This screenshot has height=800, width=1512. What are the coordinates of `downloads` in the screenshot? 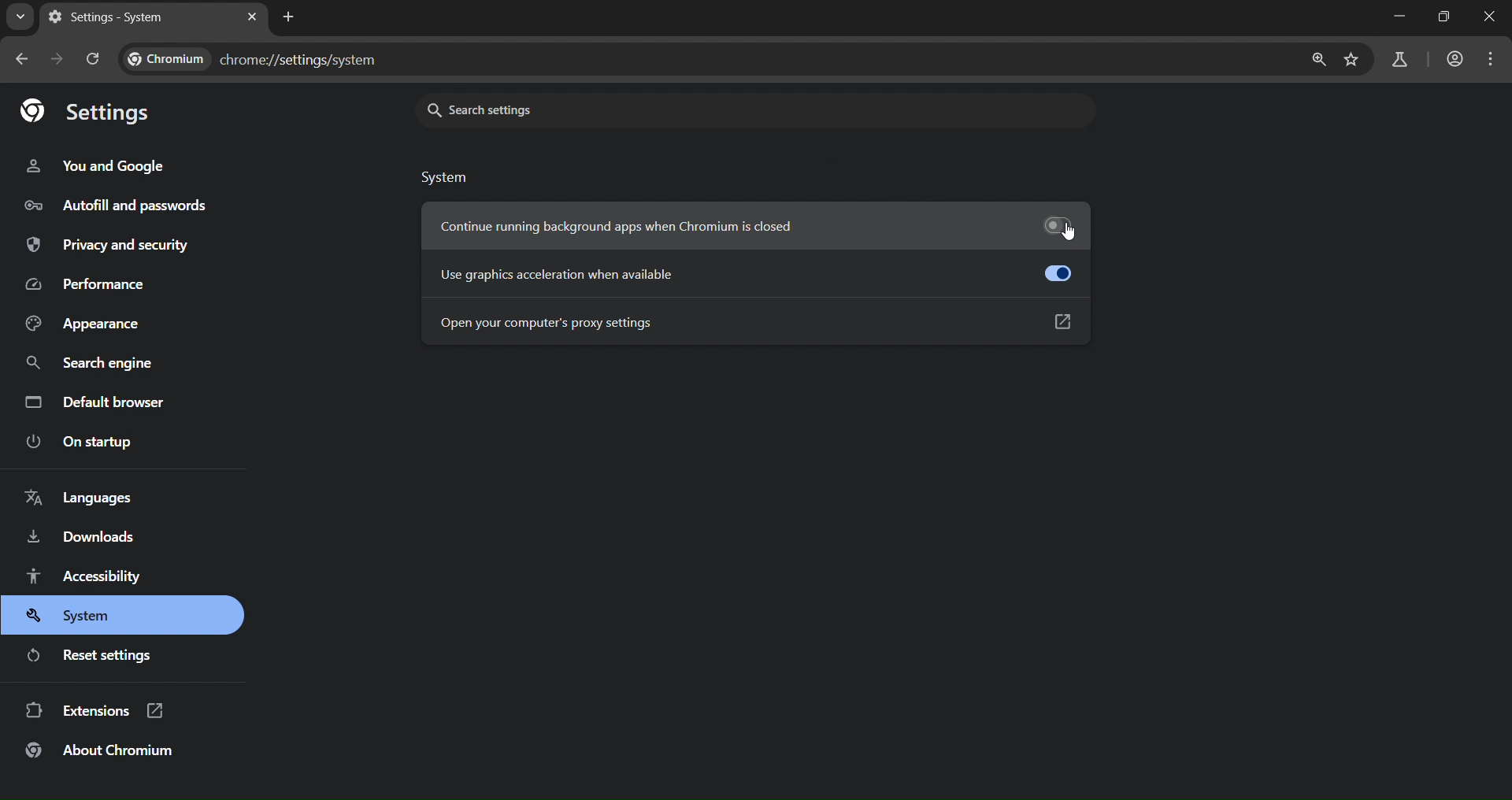 It's located at (89, 537).